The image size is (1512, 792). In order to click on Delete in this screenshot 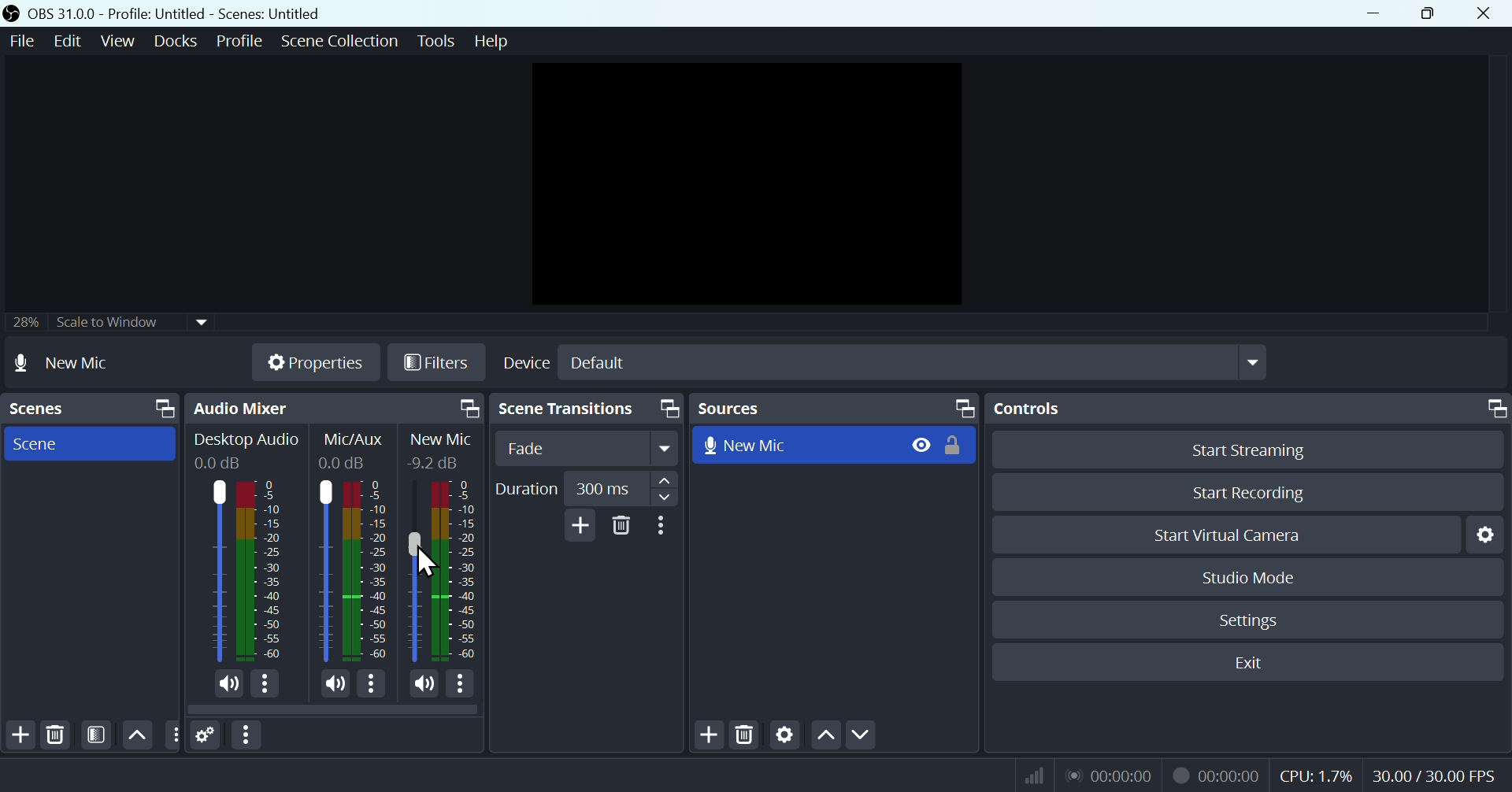, I will do `click(55, 735)`.